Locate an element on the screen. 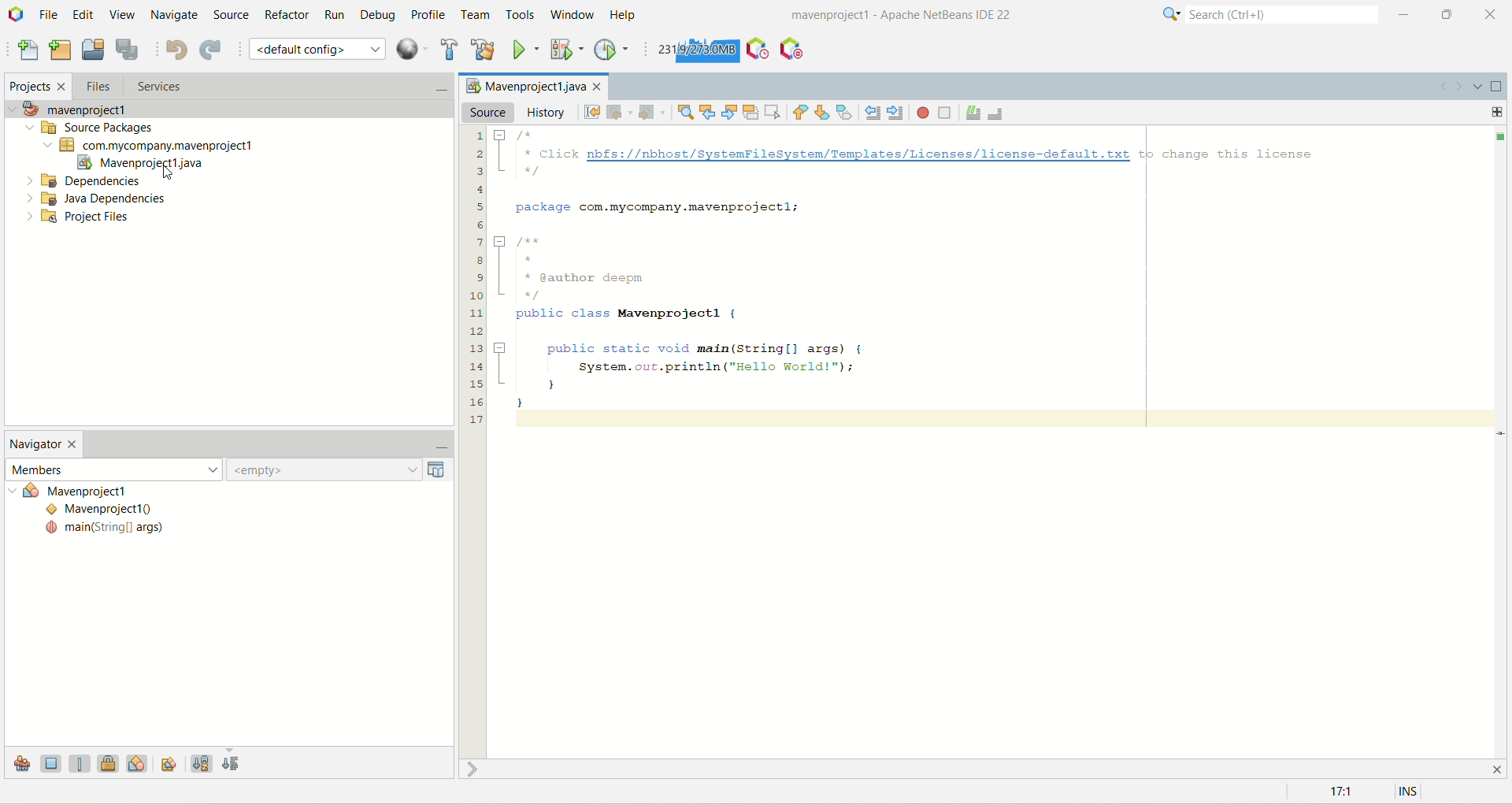  previous bookmark is located at coordinates (801, 113).